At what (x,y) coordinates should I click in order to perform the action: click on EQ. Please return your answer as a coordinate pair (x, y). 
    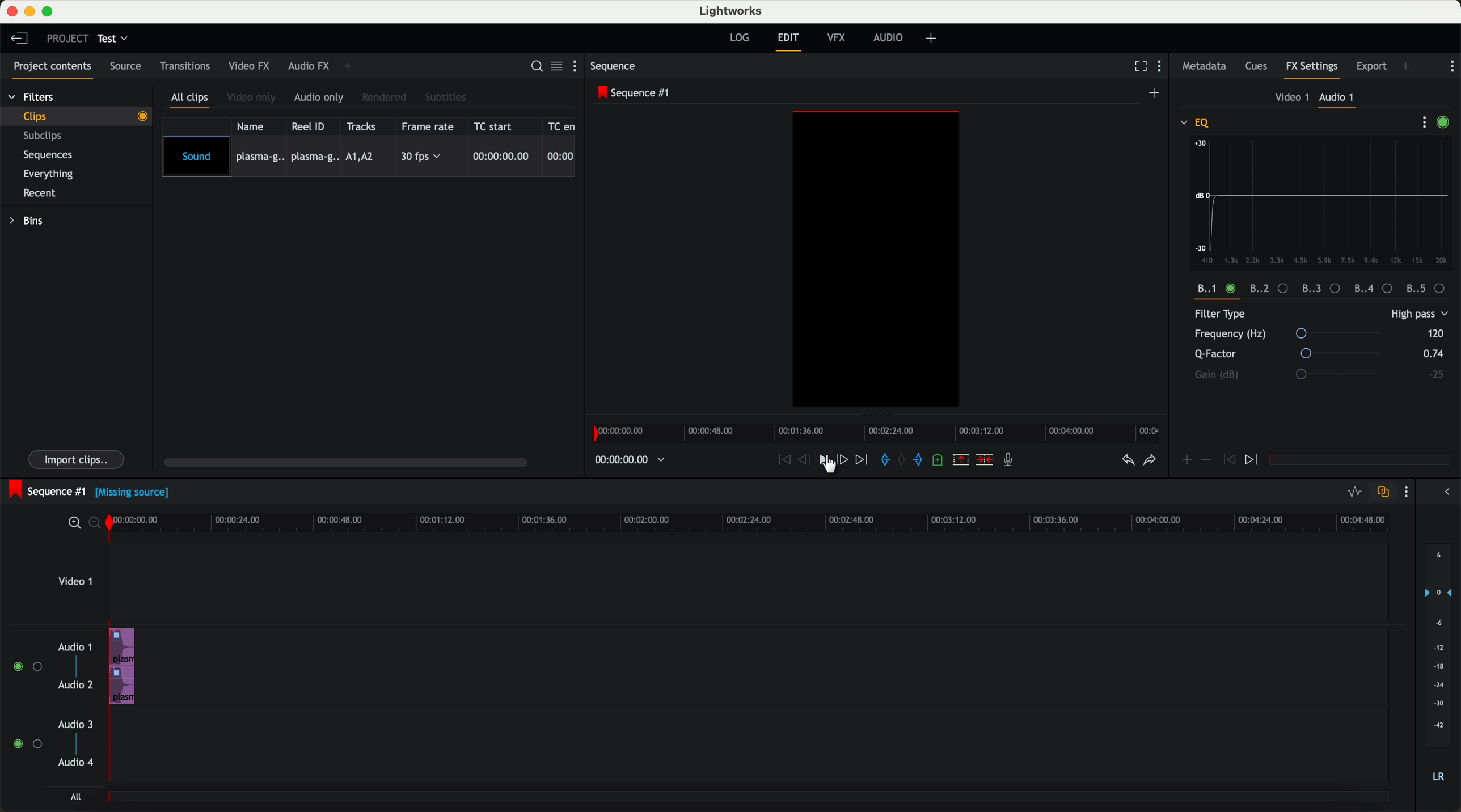
    Looking at the image, I should click on (1196, 122).